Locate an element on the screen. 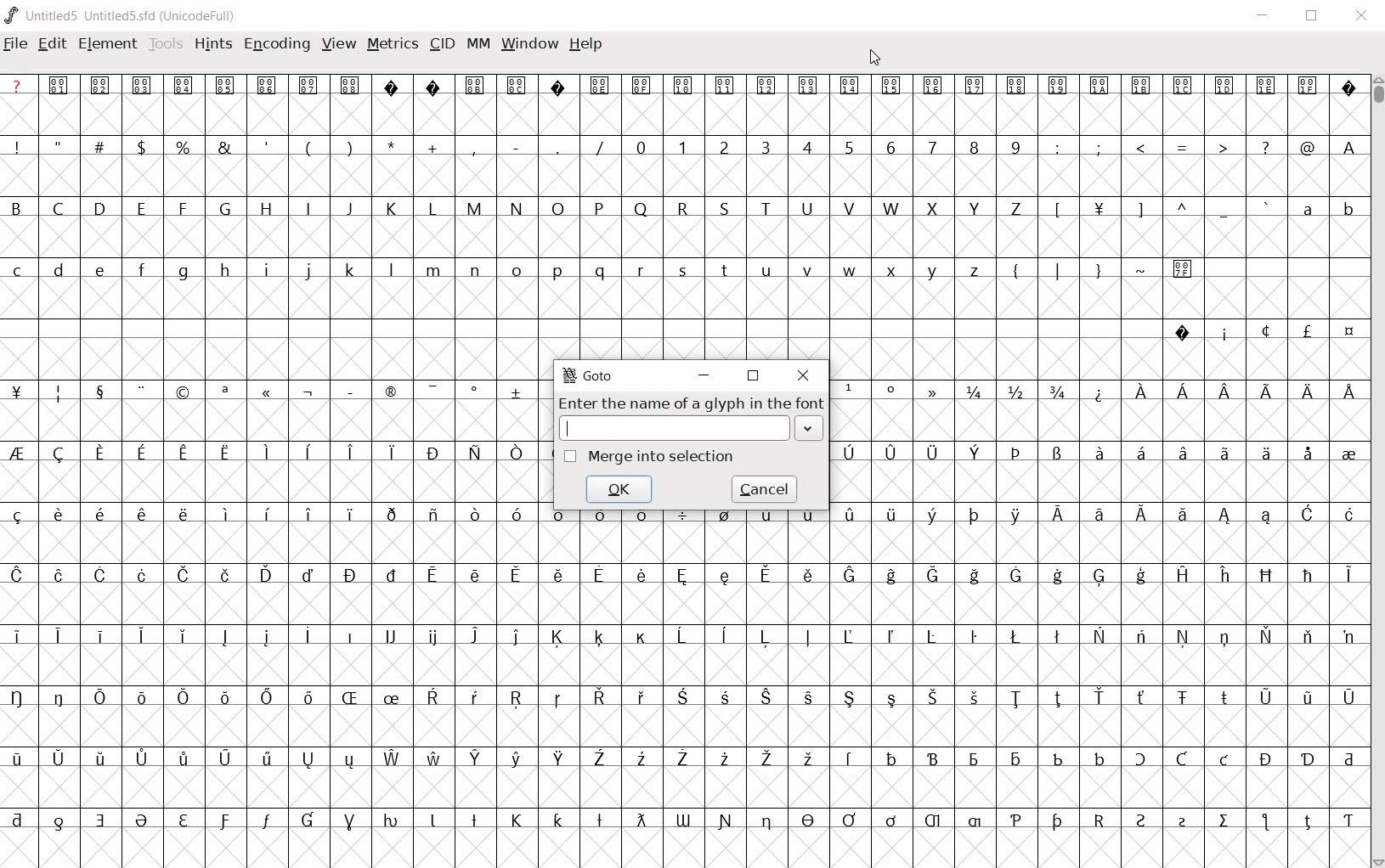  Symbol is located at coordinates (224, 821).